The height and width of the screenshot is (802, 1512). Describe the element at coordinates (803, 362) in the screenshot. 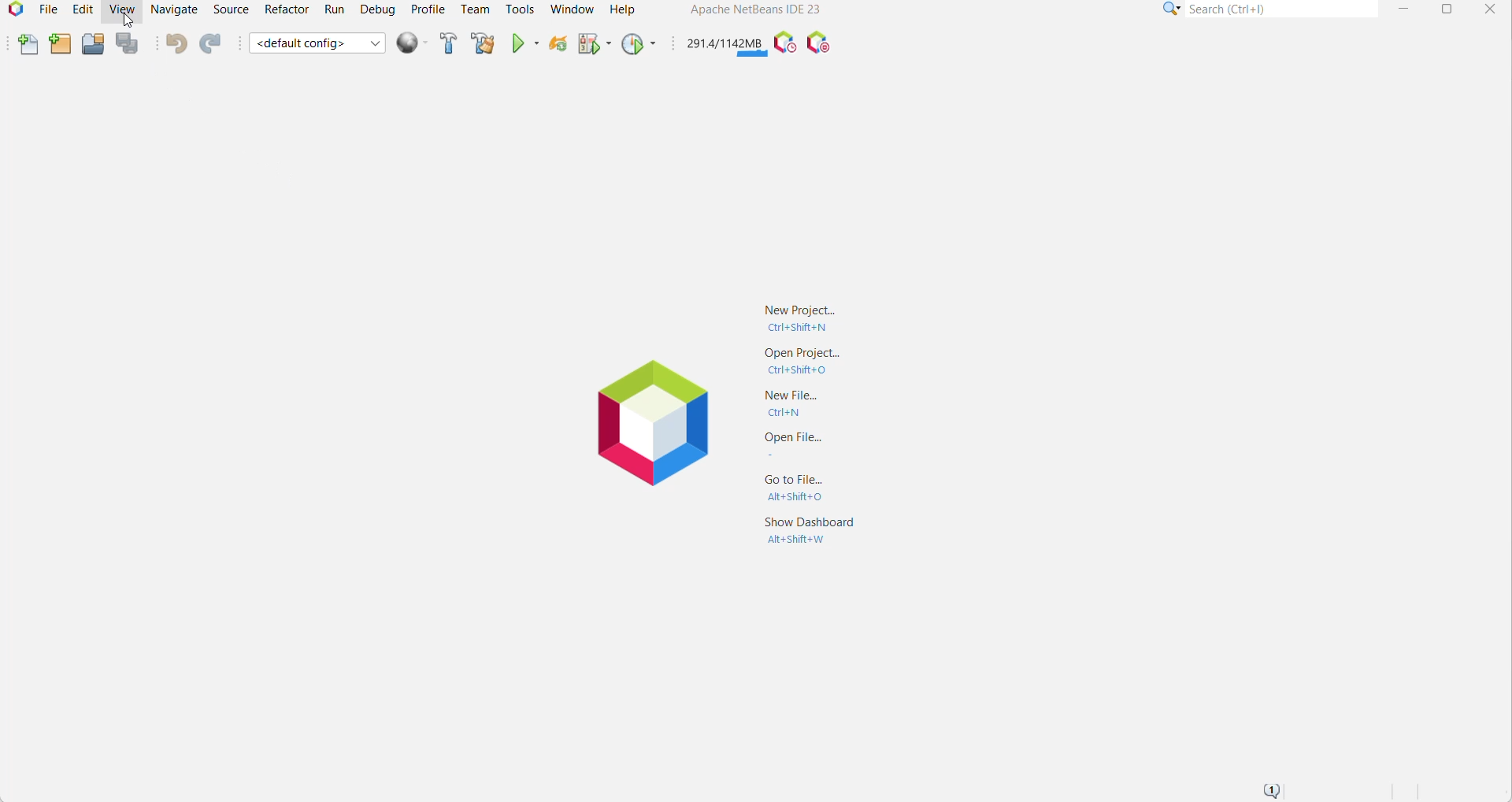

I see `Open Project` at that location.